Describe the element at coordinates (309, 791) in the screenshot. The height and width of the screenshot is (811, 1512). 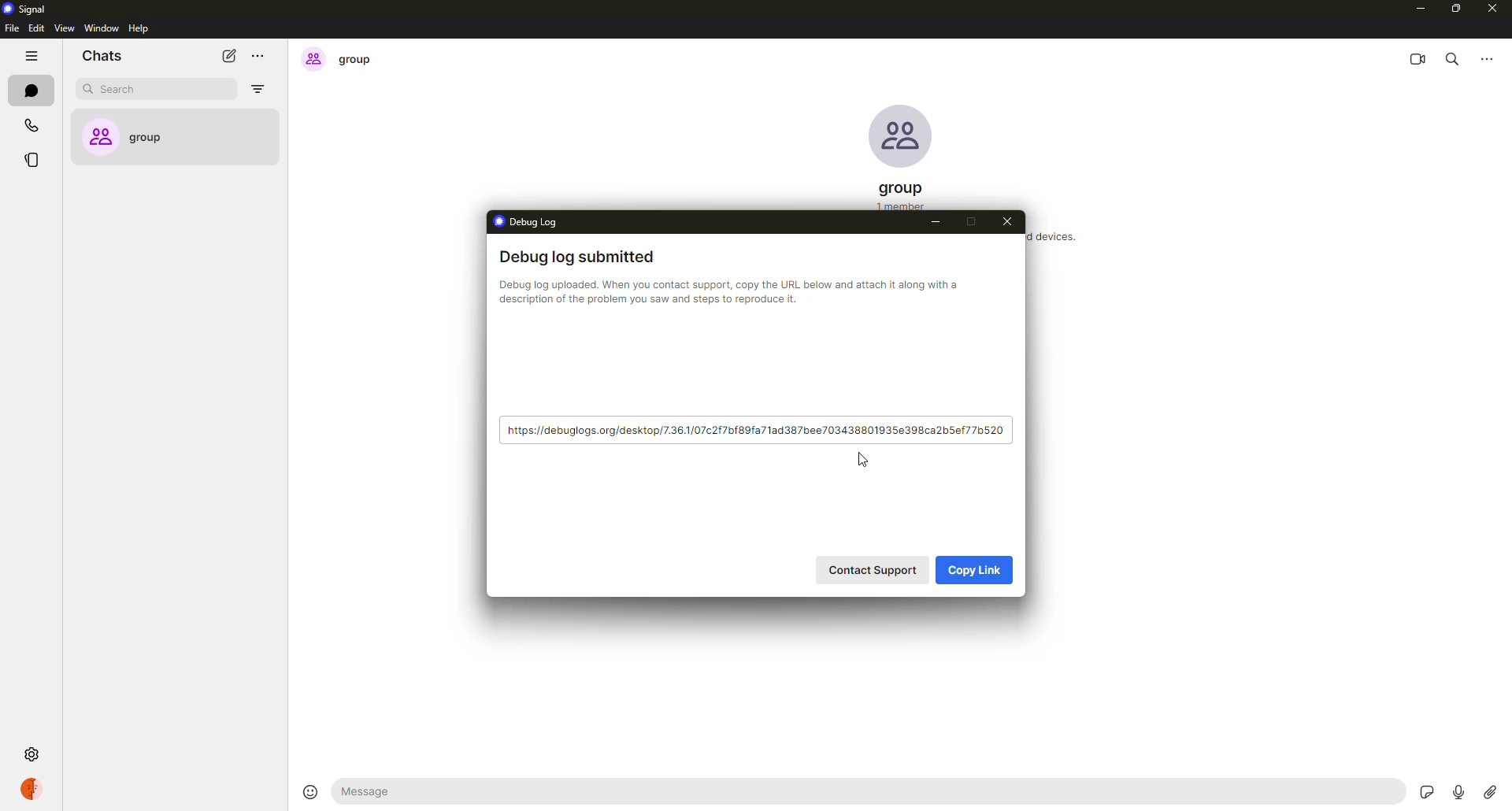
I see `emoji` at that location.